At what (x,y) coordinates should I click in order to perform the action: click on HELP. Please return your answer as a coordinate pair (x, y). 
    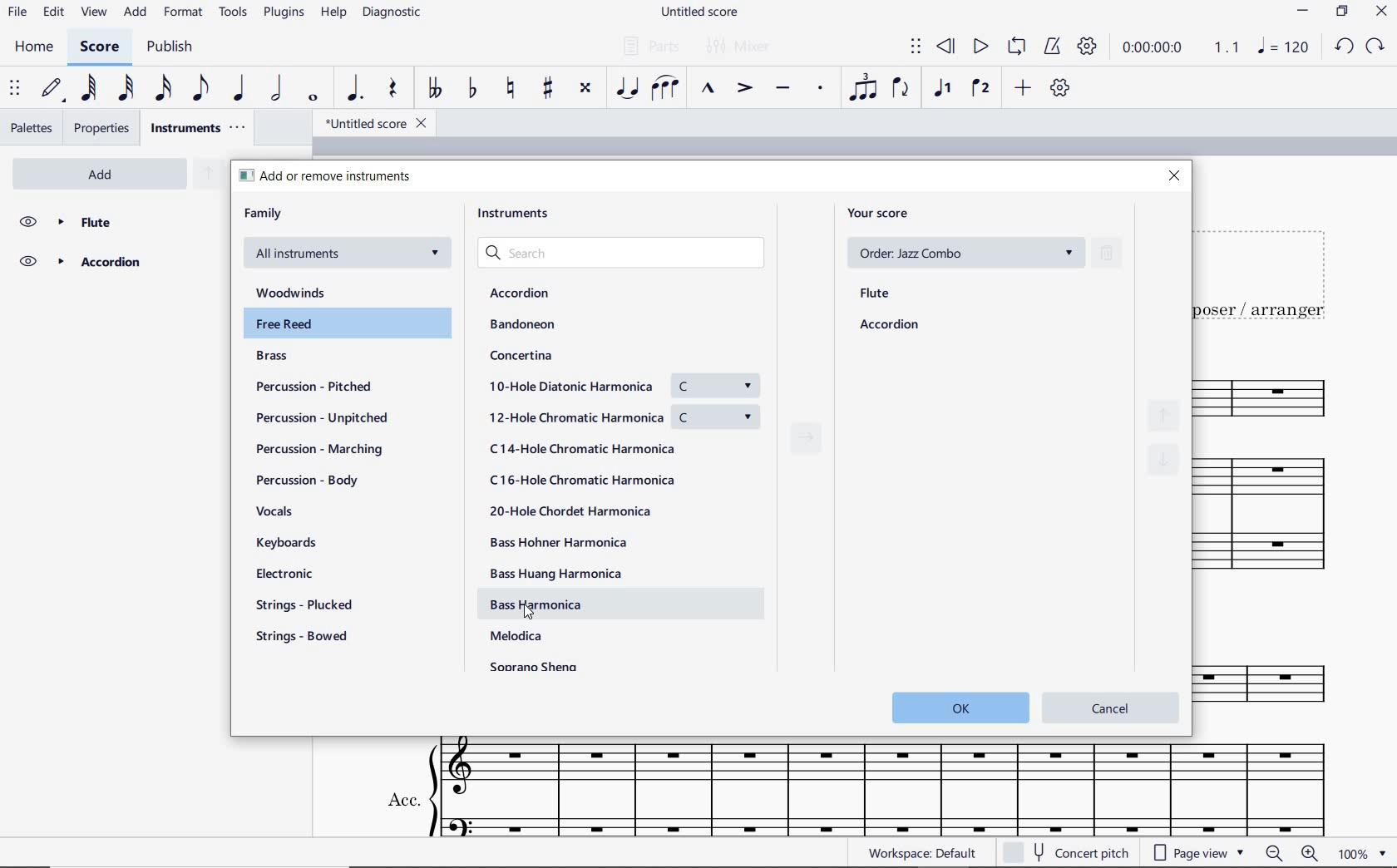
    Looking at the image, I should click on (334, 13).